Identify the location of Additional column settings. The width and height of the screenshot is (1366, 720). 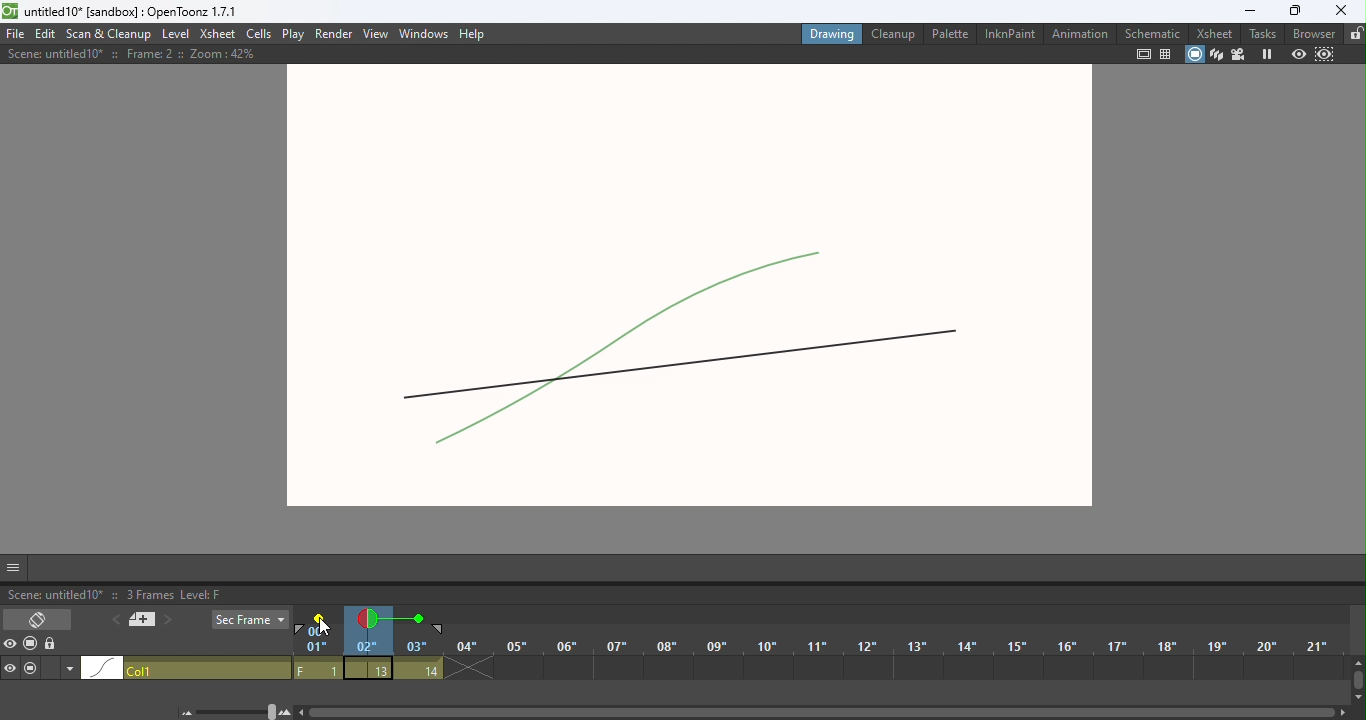
(68, 671).